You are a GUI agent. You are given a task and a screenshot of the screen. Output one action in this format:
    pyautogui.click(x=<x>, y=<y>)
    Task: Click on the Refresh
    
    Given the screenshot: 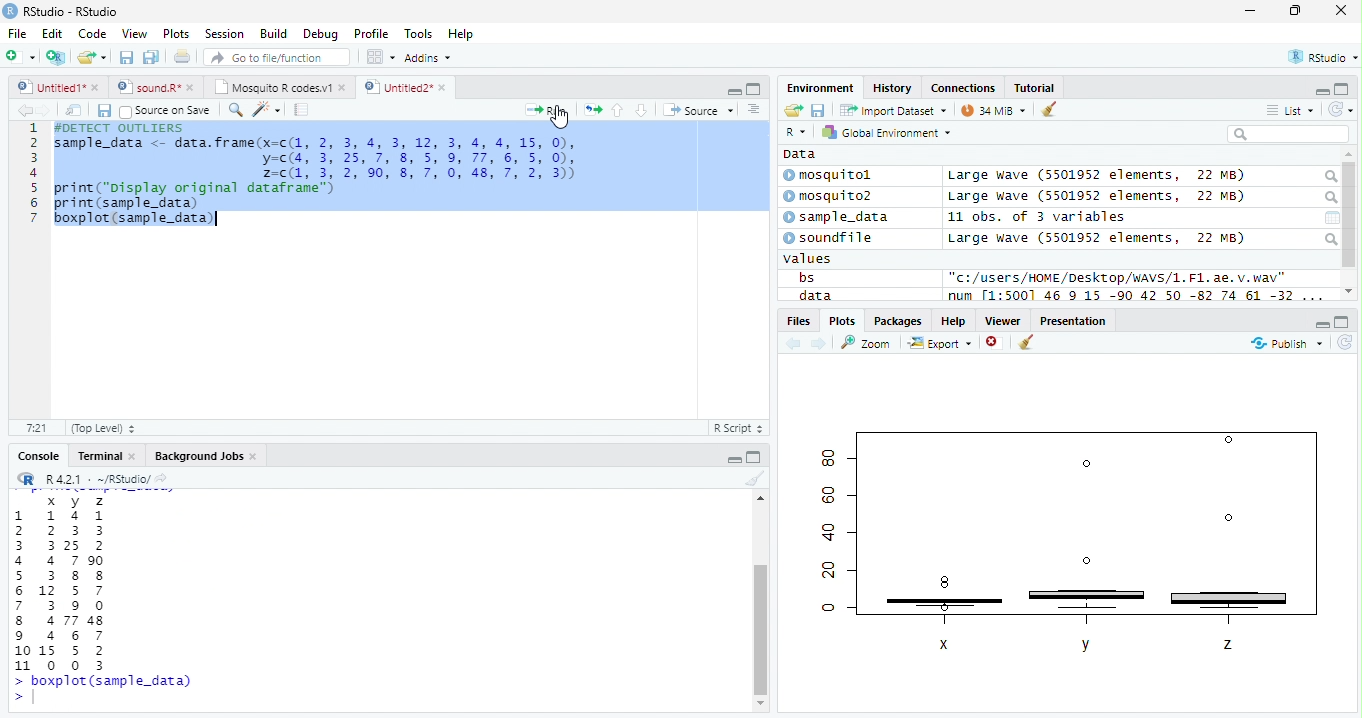 What is the action you would take?
    pyautogui.click(x=1341, y=110)
    